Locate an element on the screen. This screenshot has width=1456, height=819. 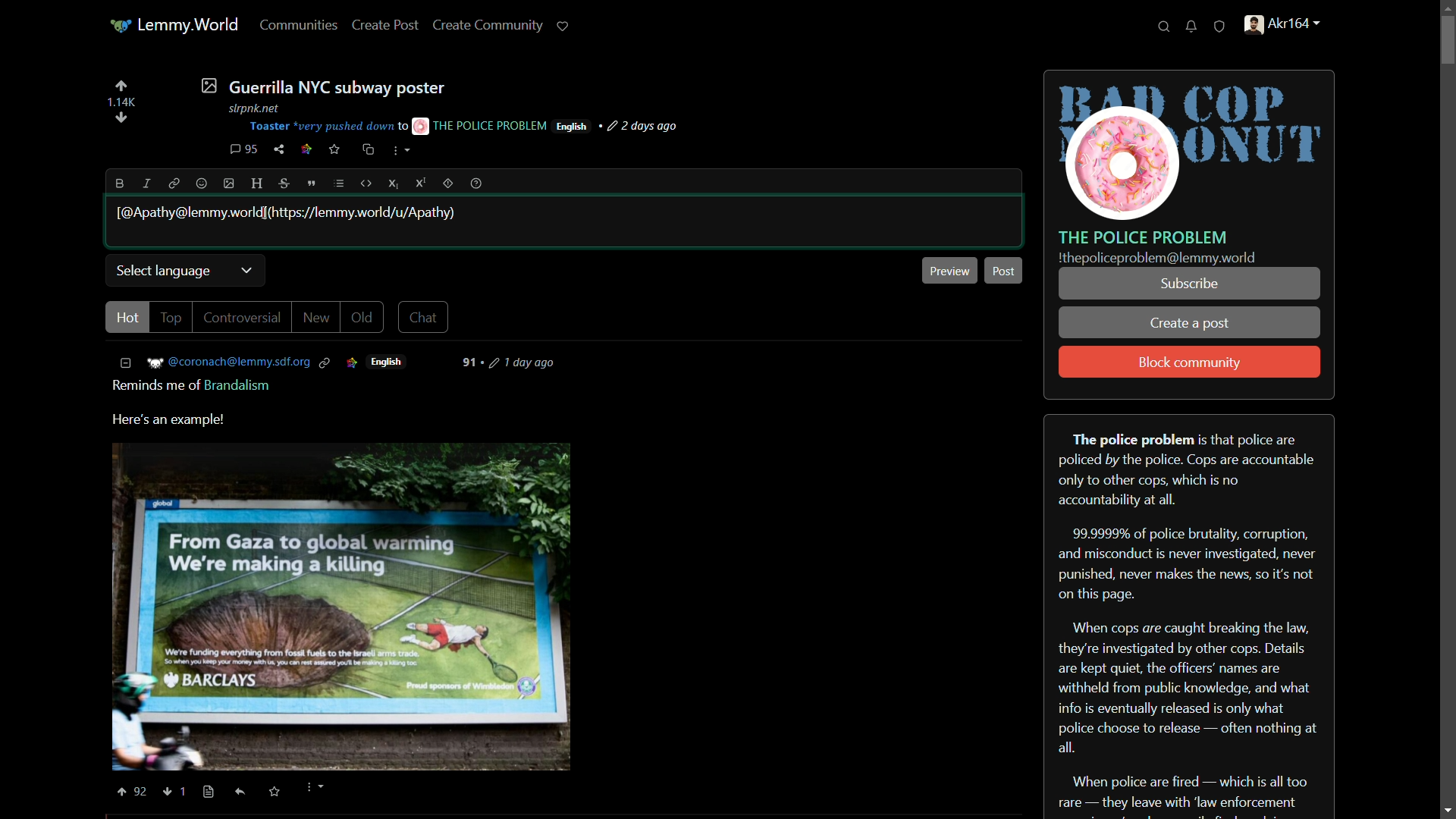
subscript is located at coordinates (395, 184).